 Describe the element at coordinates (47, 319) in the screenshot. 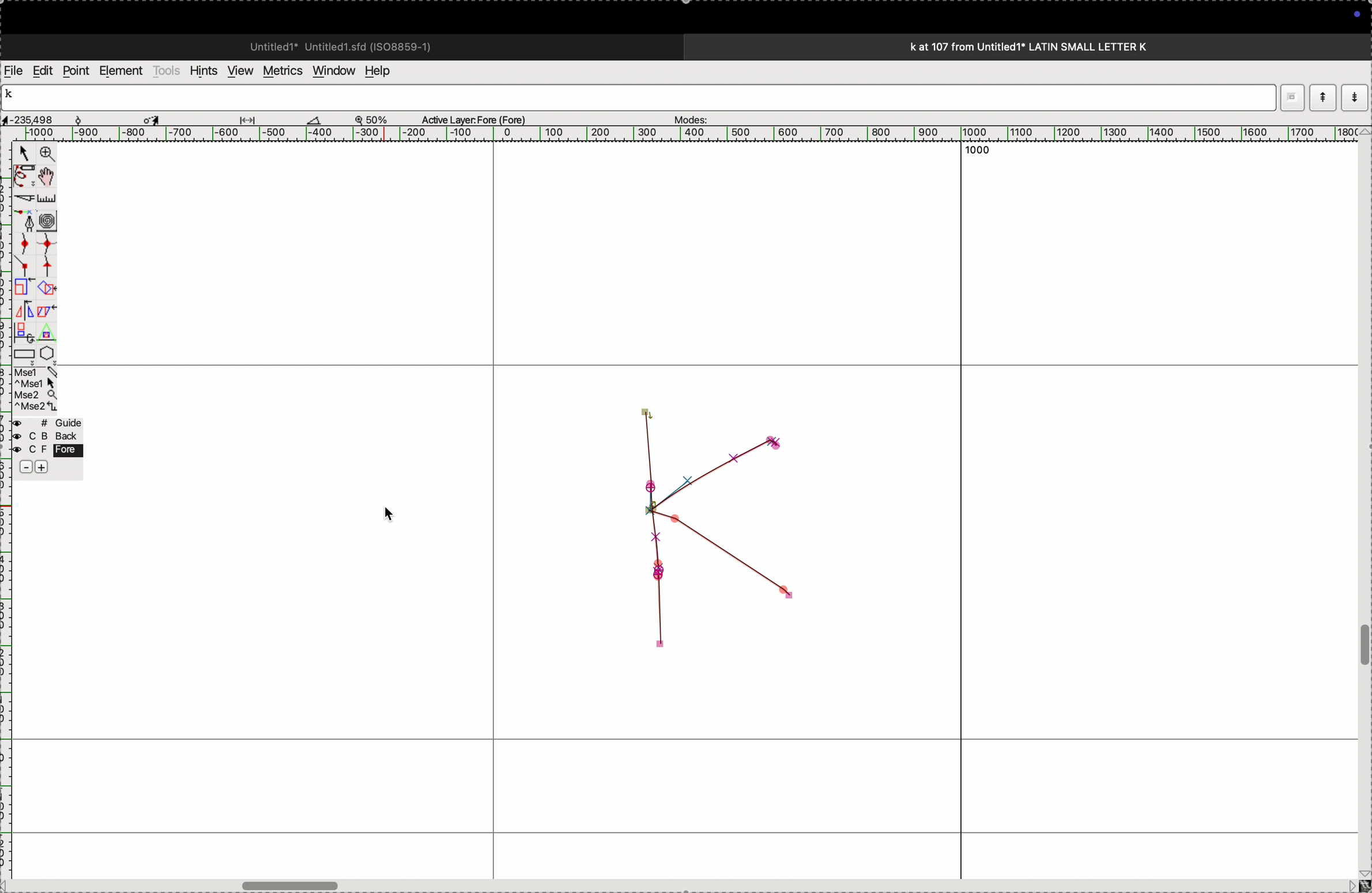

I see `apply` at that location.